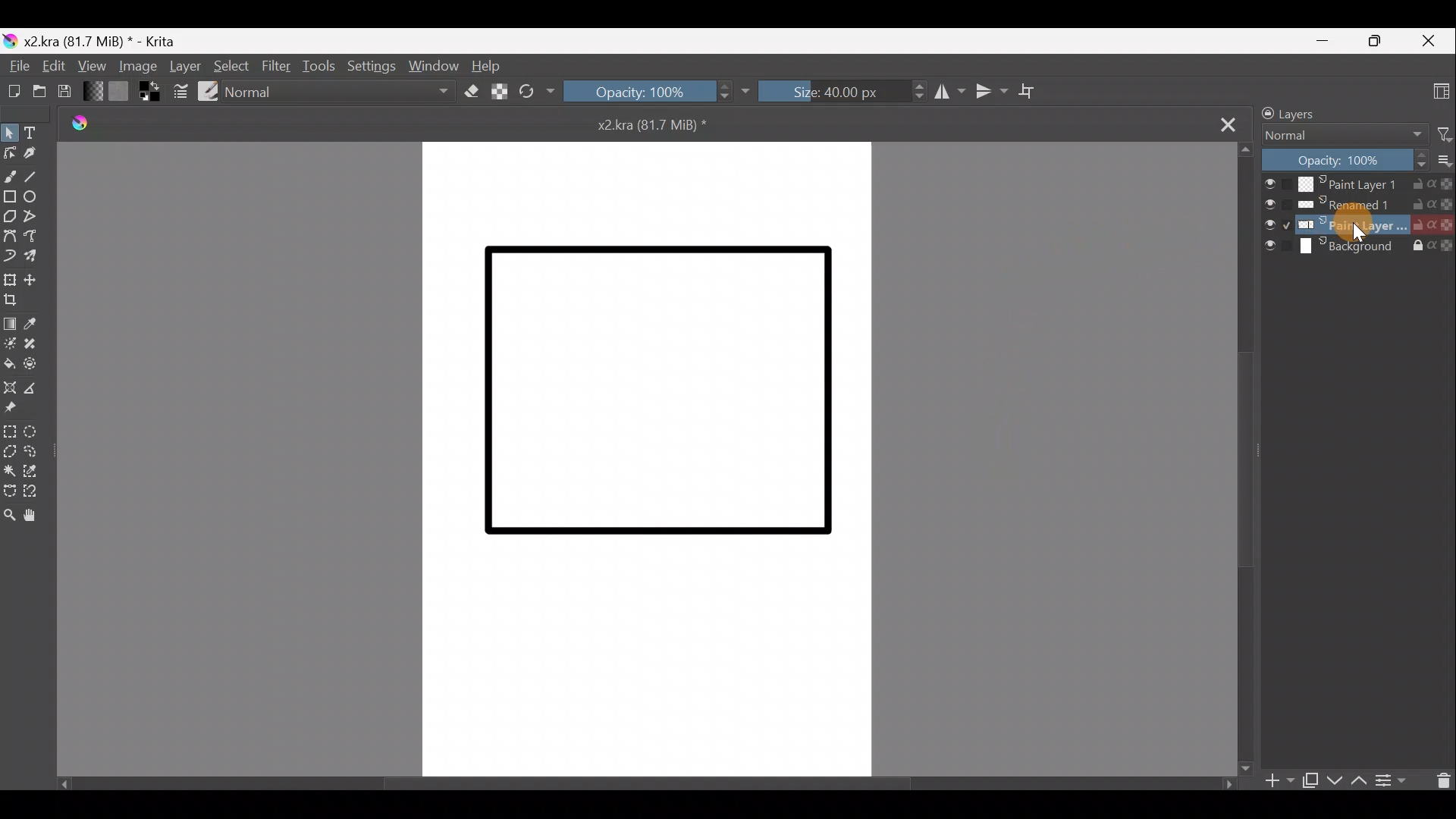  I want to click on Lock/unlock docker, so click(1265, 111).